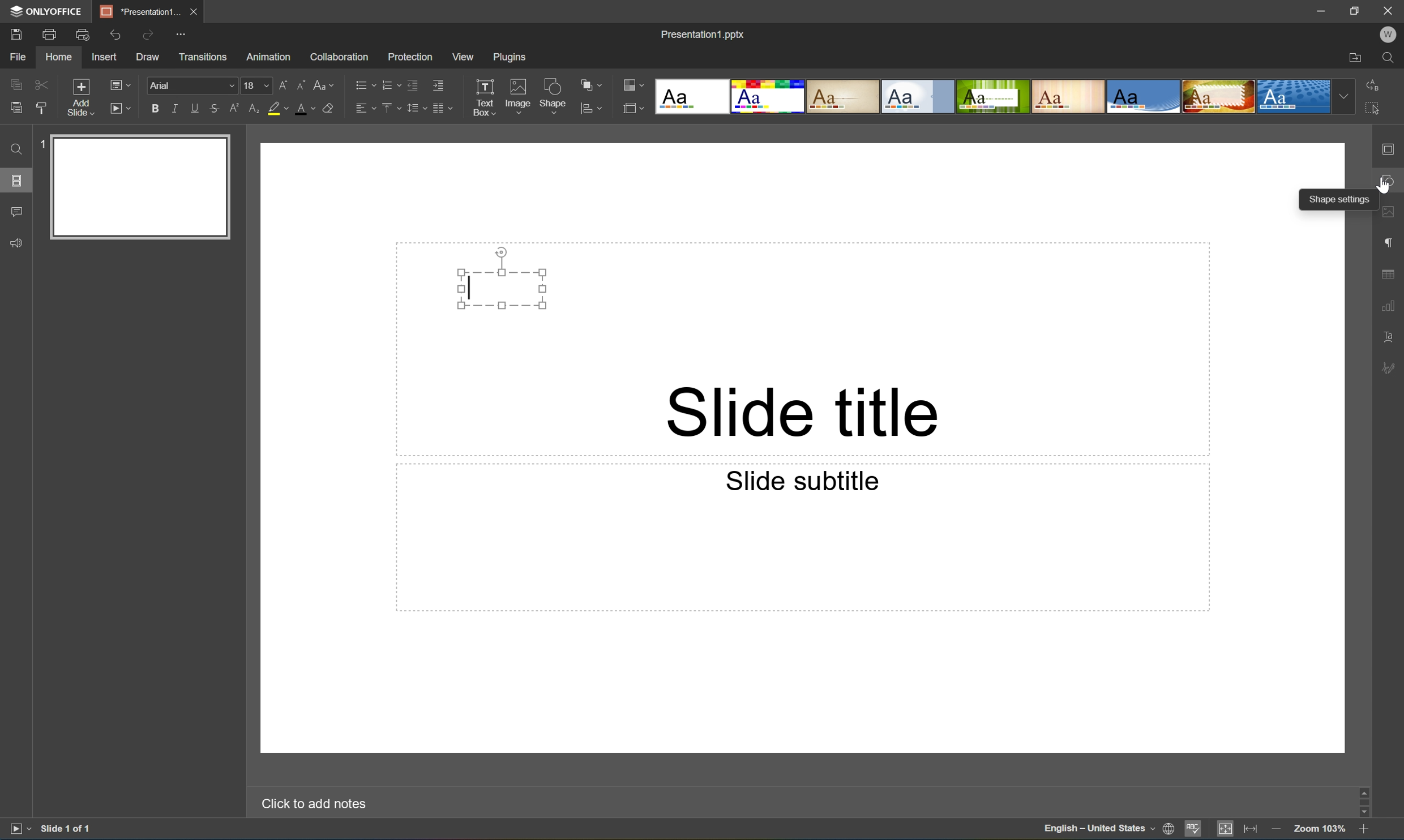 Image resolution: width=1404 pixels, height=840 pixels. What do you see at coordinates (804, 481) in the screenshot?
I see `Slide subtitle` at bounding box center [804, 481].